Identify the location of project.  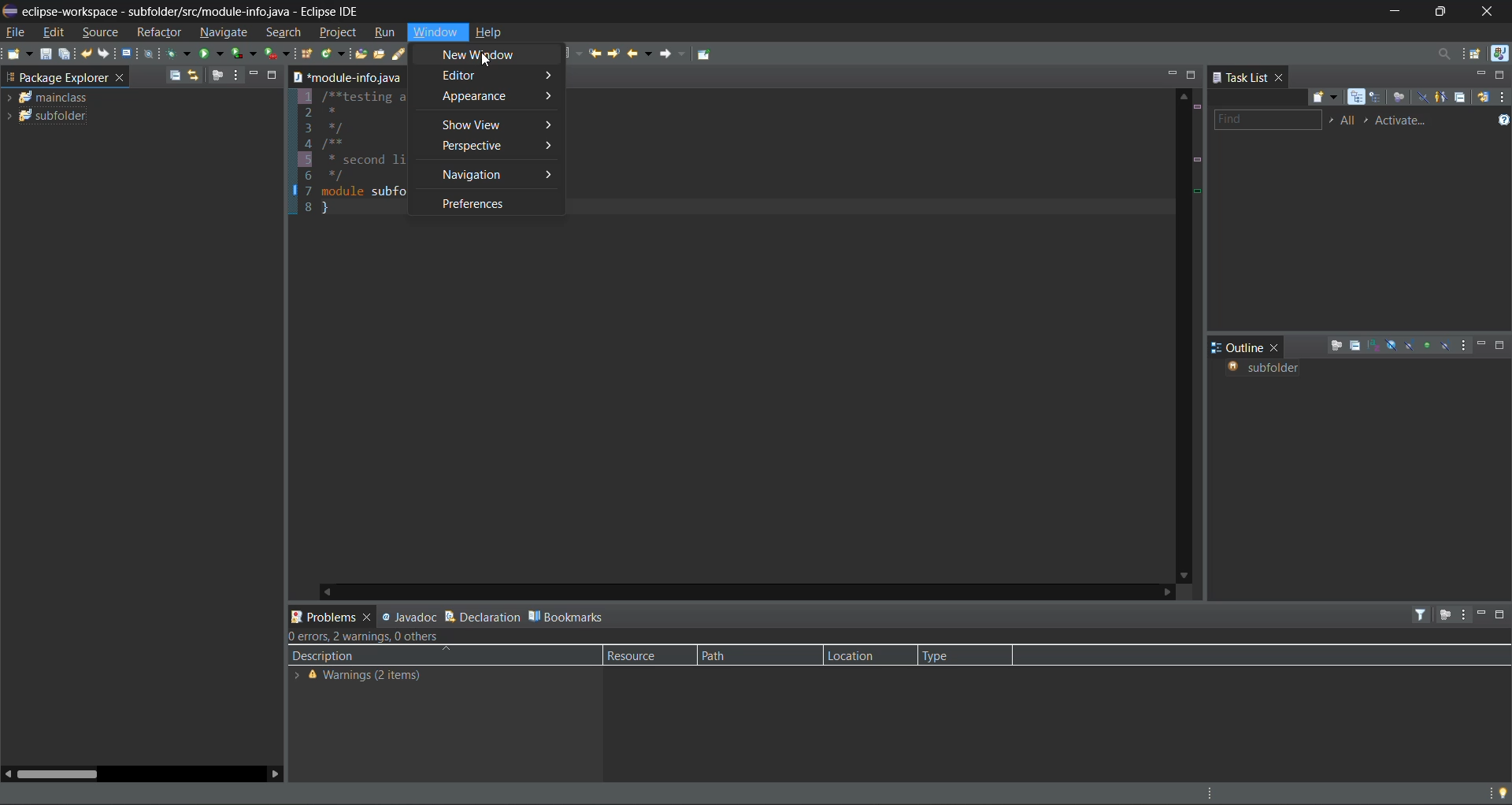
(341, 32).